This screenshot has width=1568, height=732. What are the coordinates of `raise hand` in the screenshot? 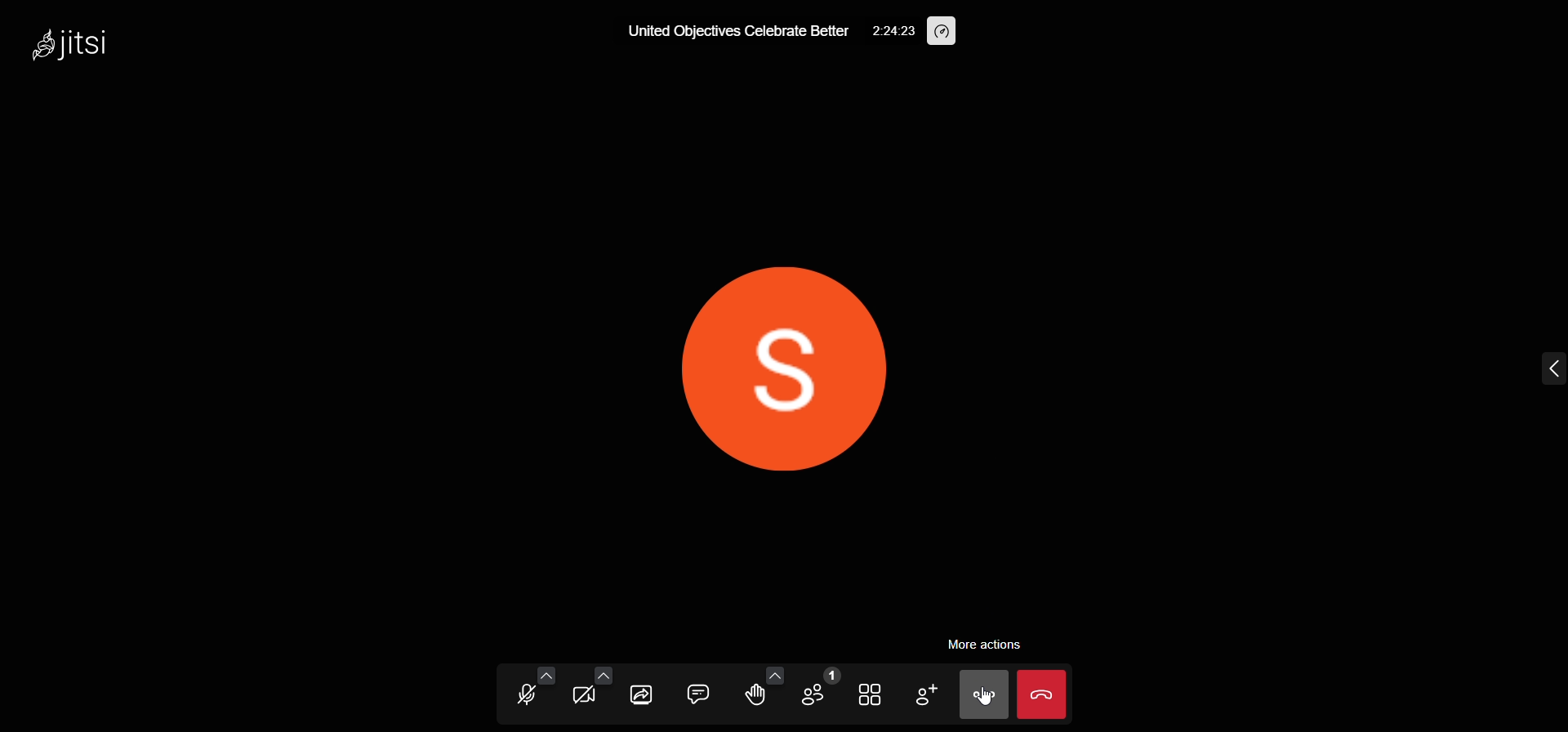 It's located at (753, 695).